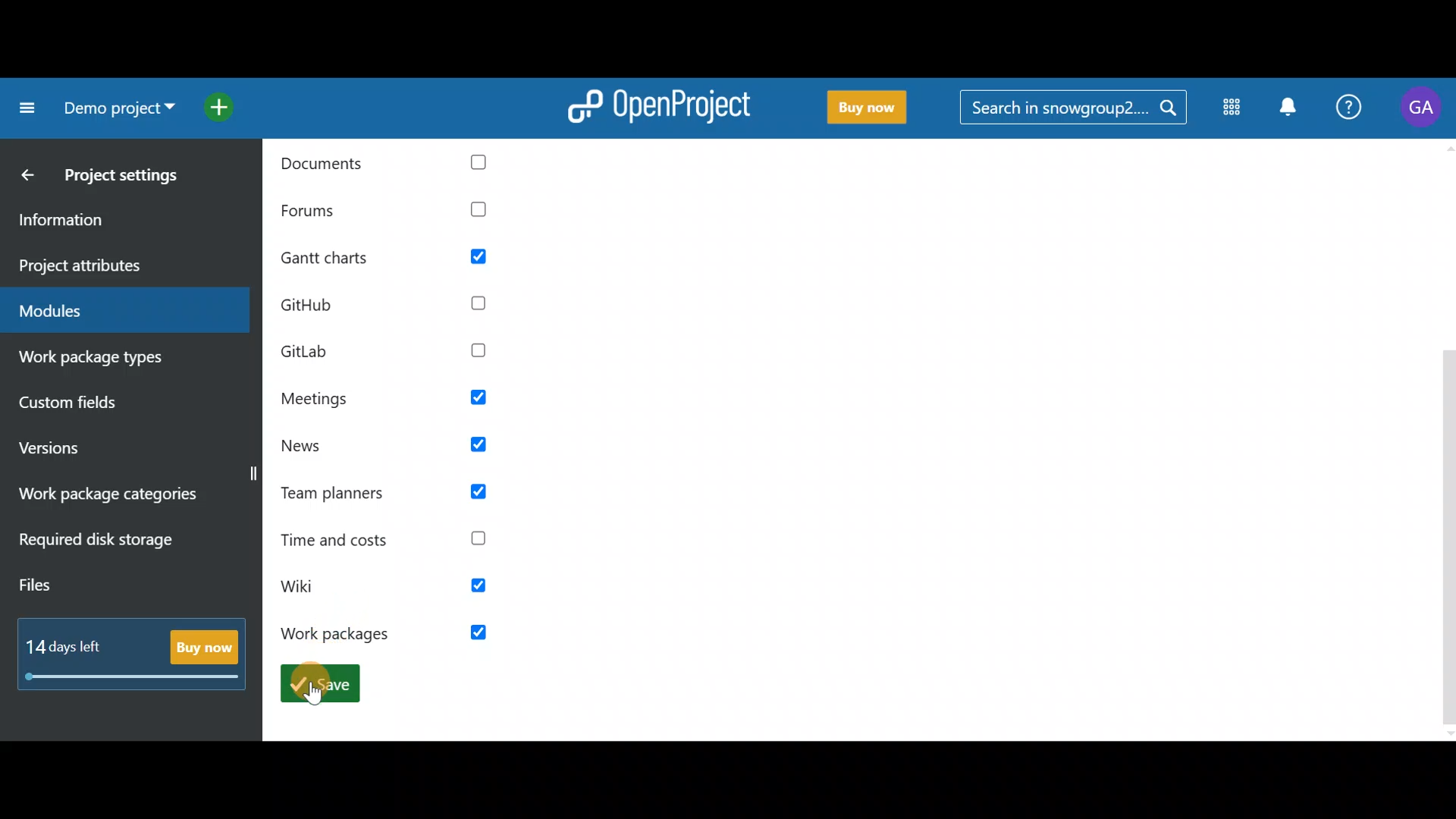 The image size is (1456, 819). I want to click on Time and costs, so click(390, 538).